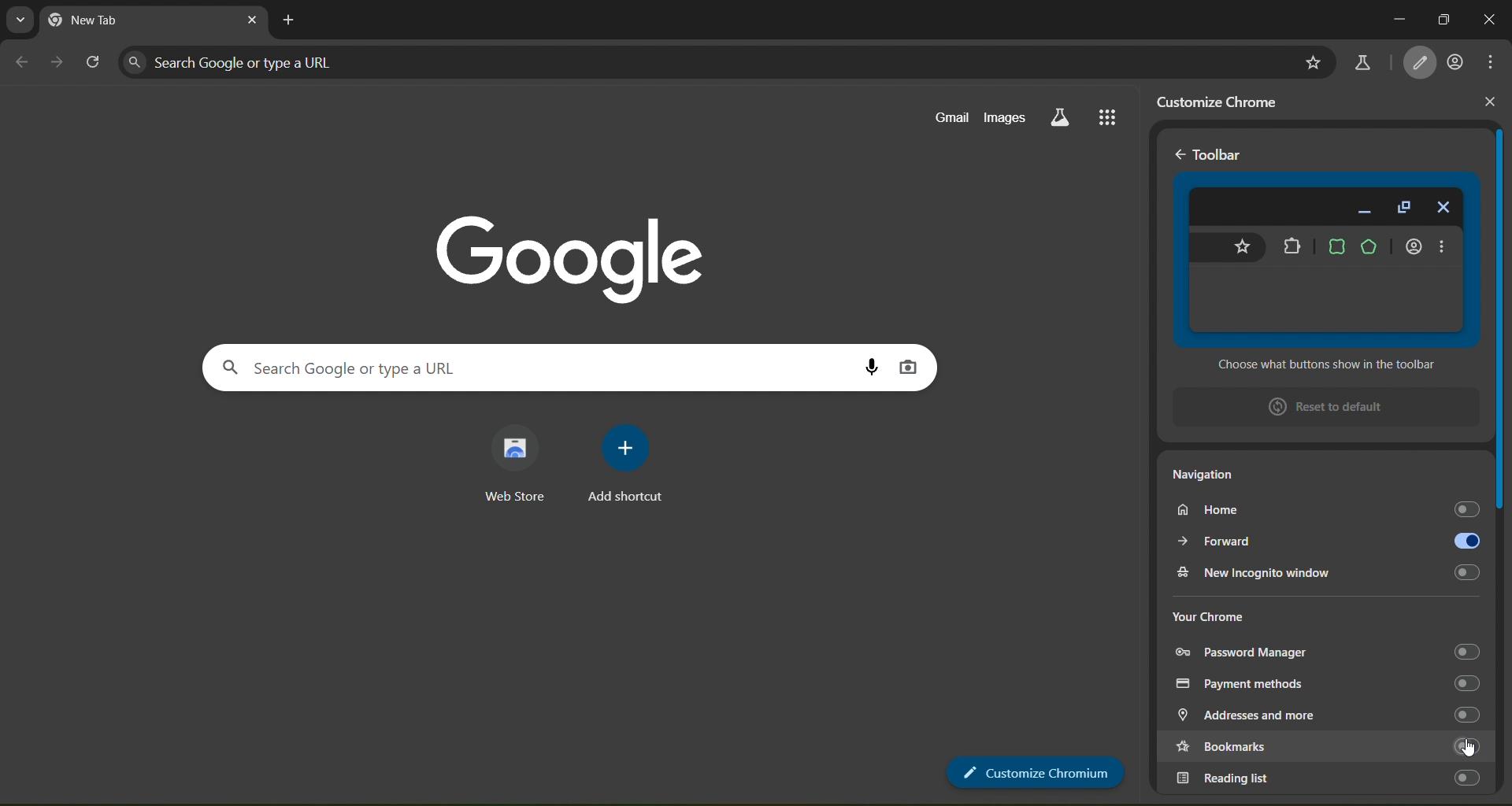  What do you see at coordinates (951, 118) in the screenshot?
I see `gmail` at bounding box center [951, 118].